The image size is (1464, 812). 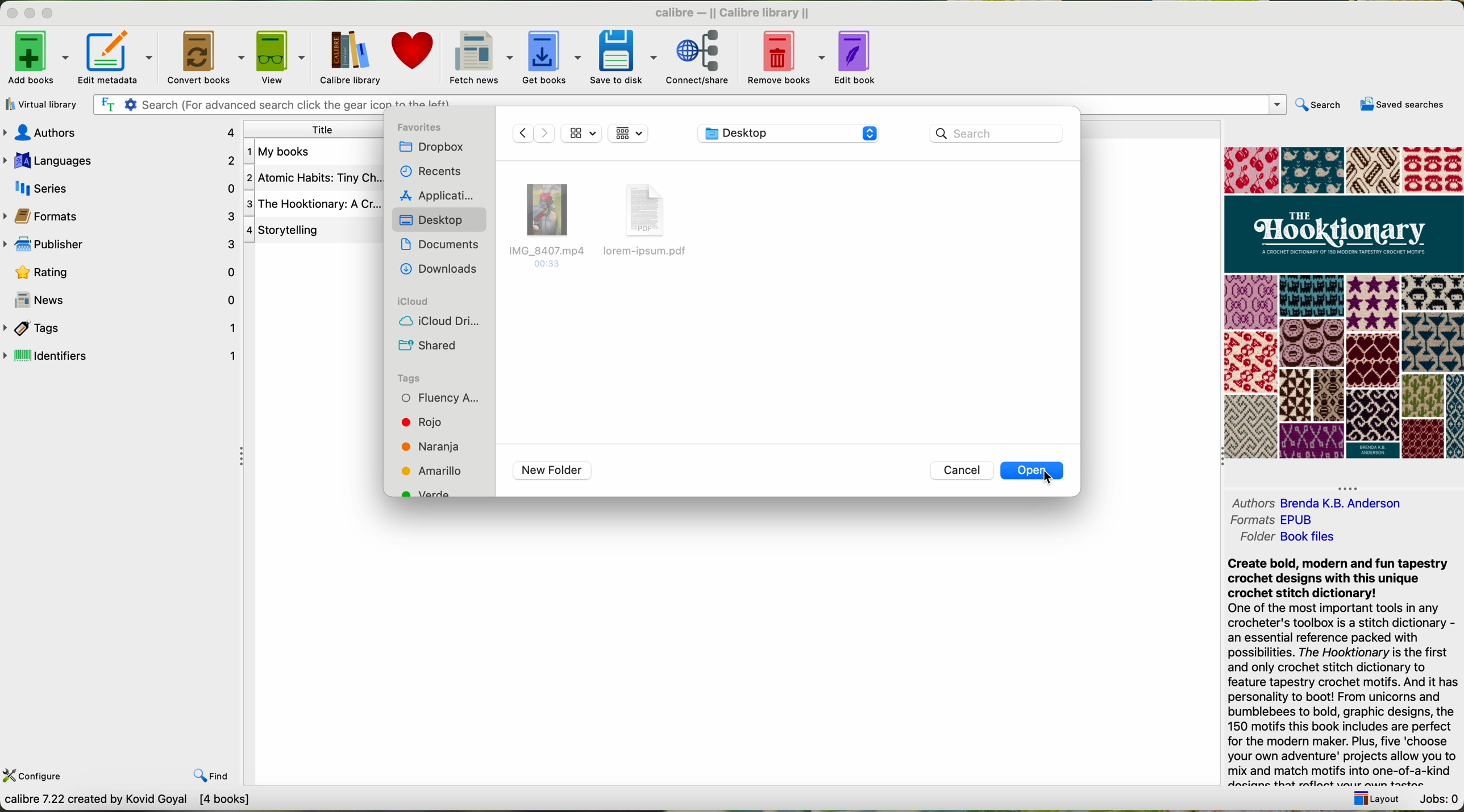 What do you see at coordinates (551, 56) in the screenshot?
I see `get books` at bounding box center [551, 56].